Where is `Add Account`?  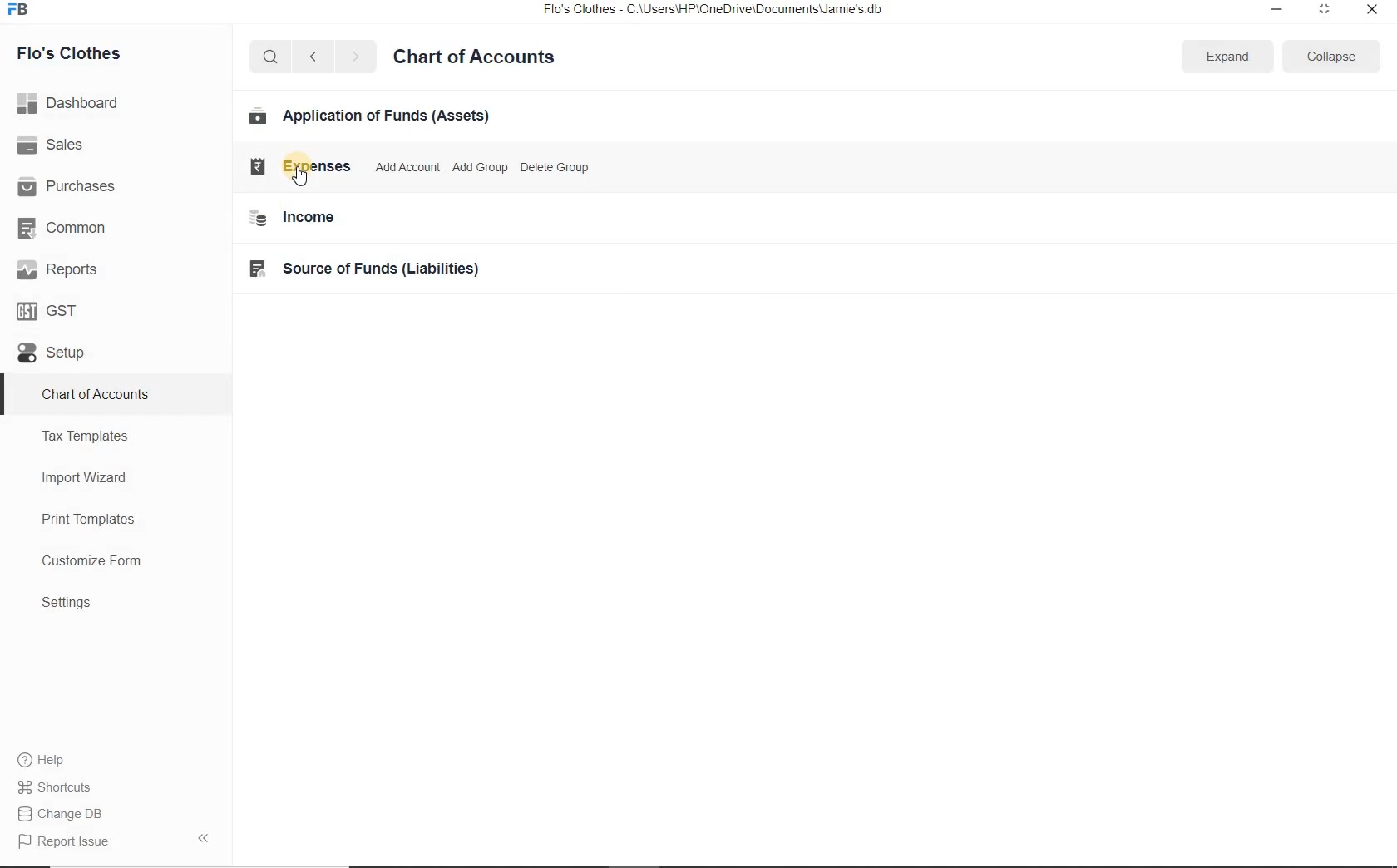 Add Account is located at coordinates (402, 167).